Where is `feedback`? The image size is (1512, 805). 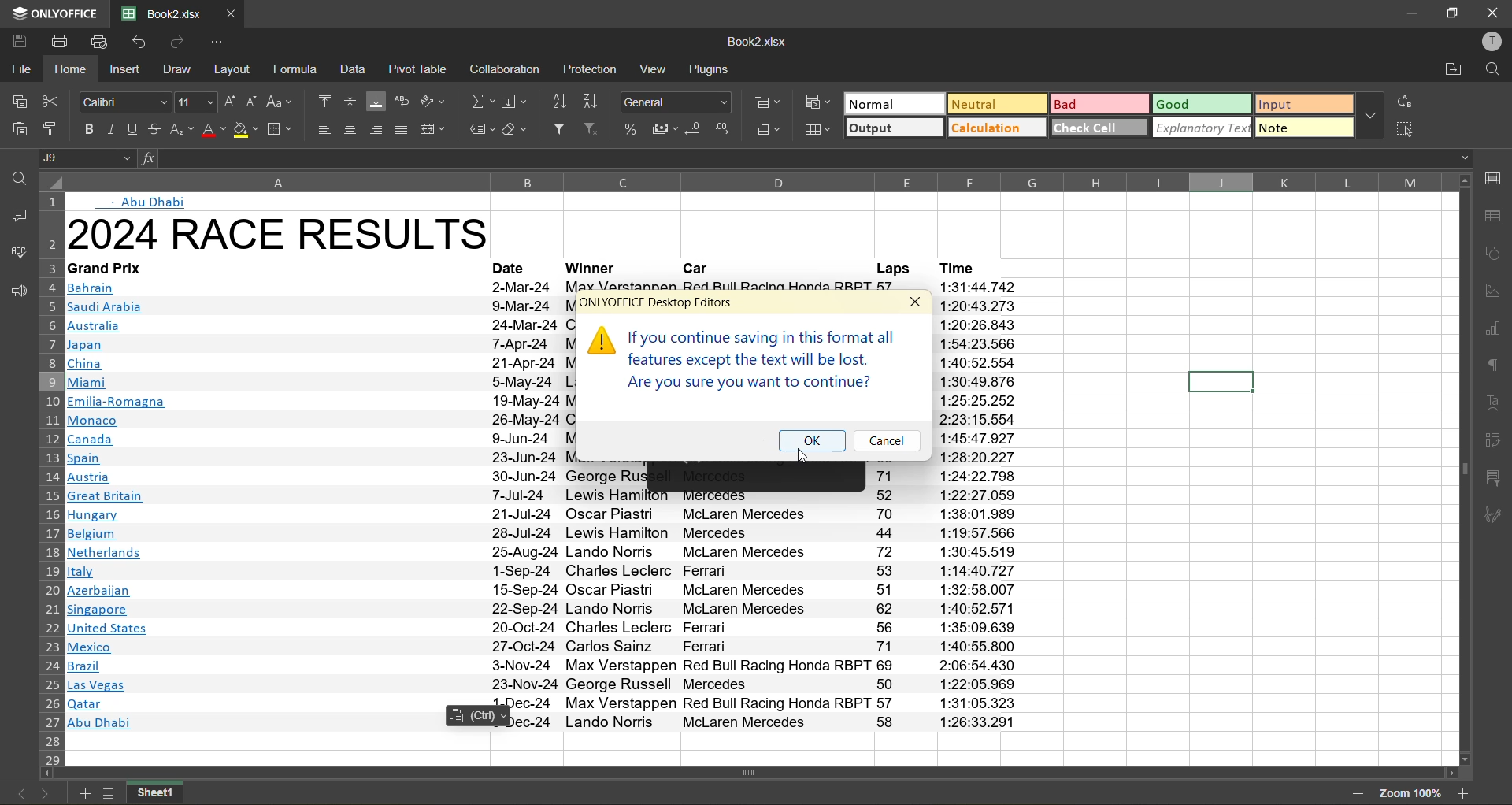
feedback is located at coordinates (20, 291).